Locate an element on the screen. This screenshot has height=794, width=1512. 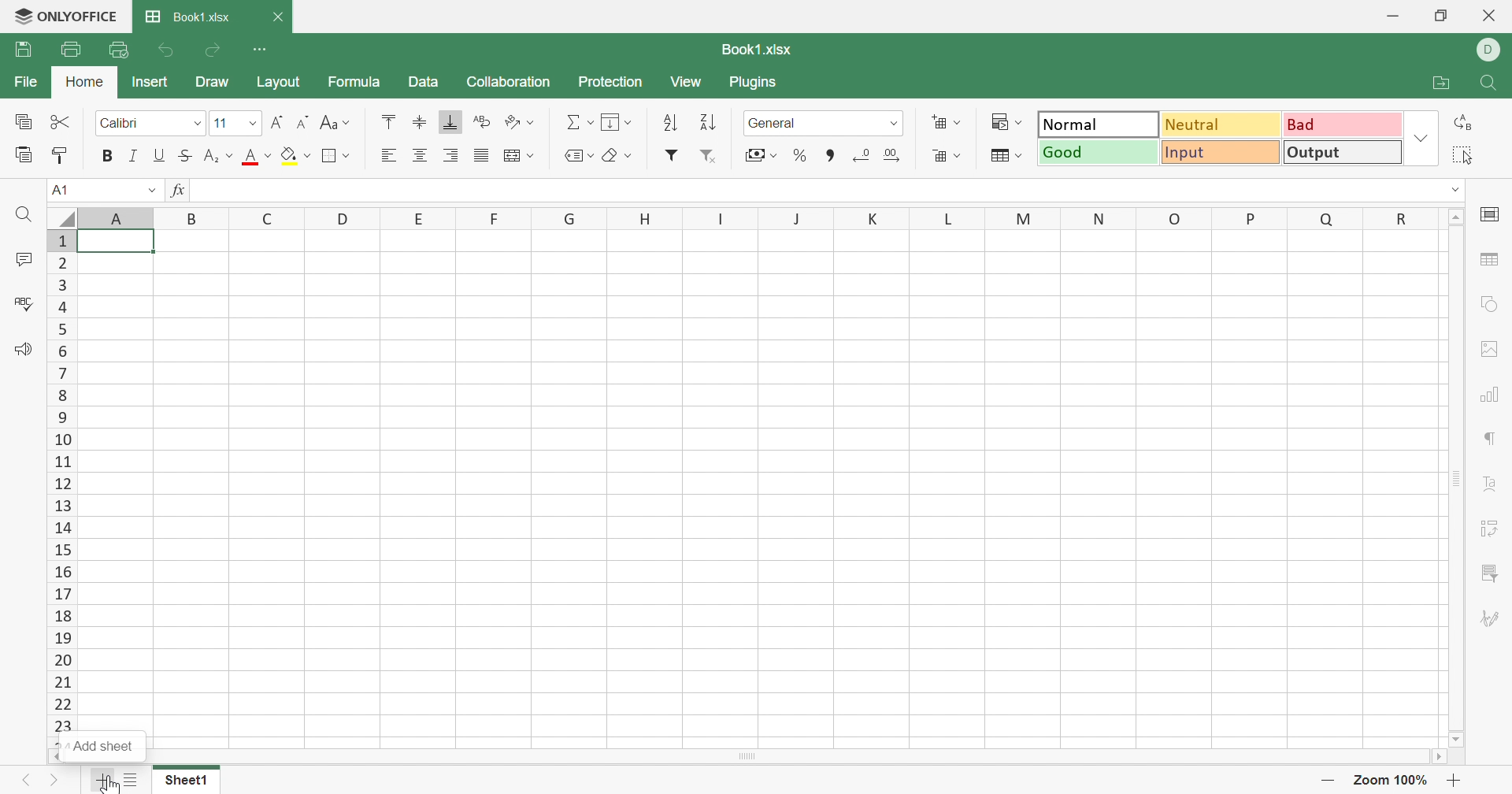
Subscript/Superscript is located at coordinates (209, 154).